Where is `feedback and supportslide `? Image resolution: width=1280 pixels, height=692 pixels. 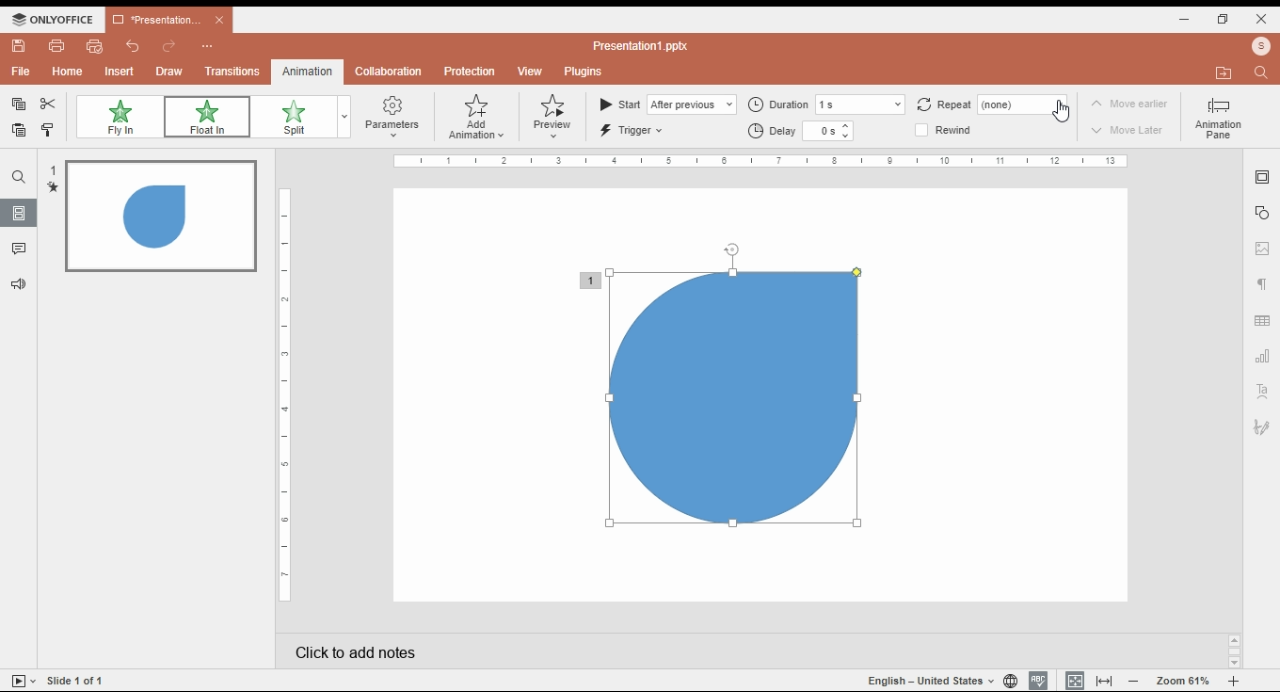
feedback and supportslide  is located at coordinates (23, 281).